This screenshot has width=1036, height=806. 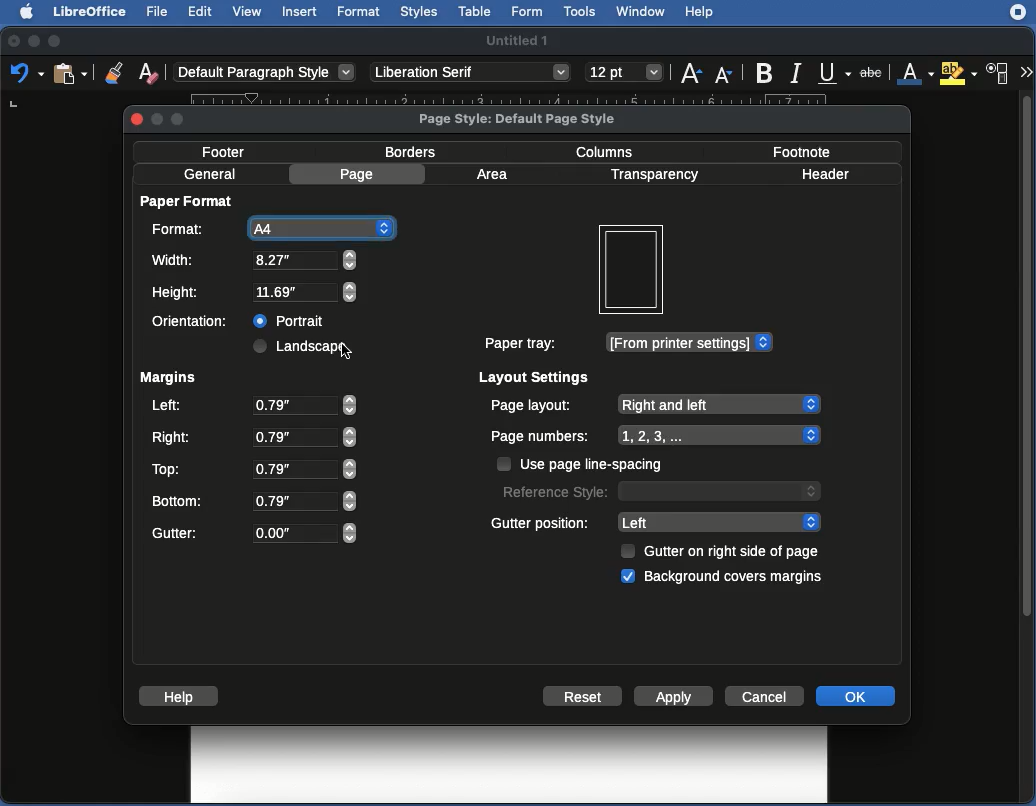 What do you see at coordinates (627, 577) in the screenshot?
I see `checkbox` at bounding box center [627, 577].